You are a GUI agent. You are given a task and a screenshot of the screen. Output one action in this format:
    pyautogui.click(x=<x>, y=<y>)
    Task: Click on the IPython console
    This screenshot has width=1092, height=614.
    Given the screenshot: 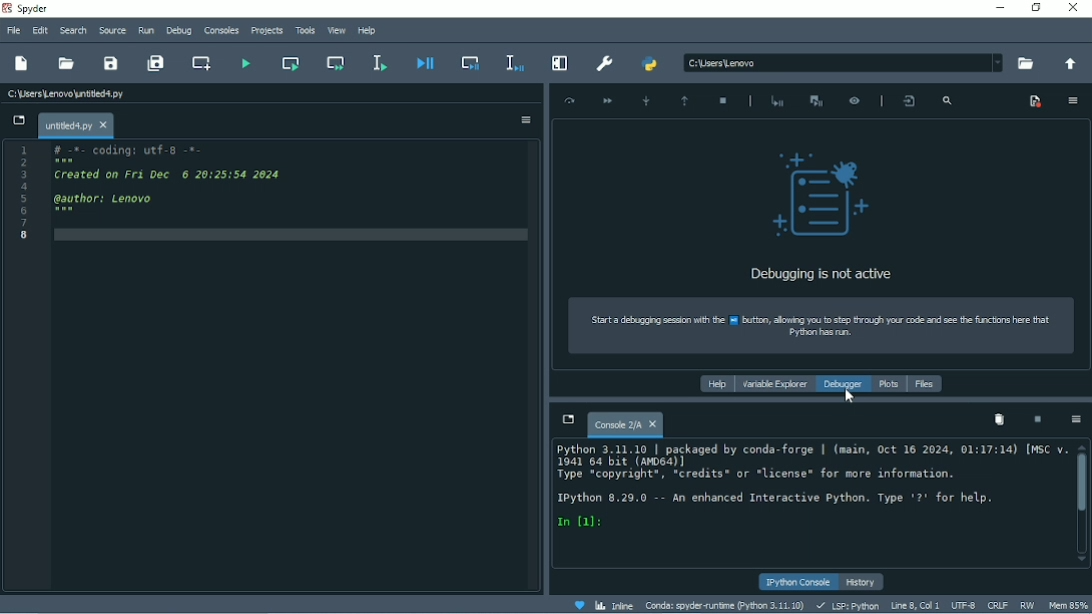 What is the action you would take?
    pyautogui.click(x=795, y=581)
    